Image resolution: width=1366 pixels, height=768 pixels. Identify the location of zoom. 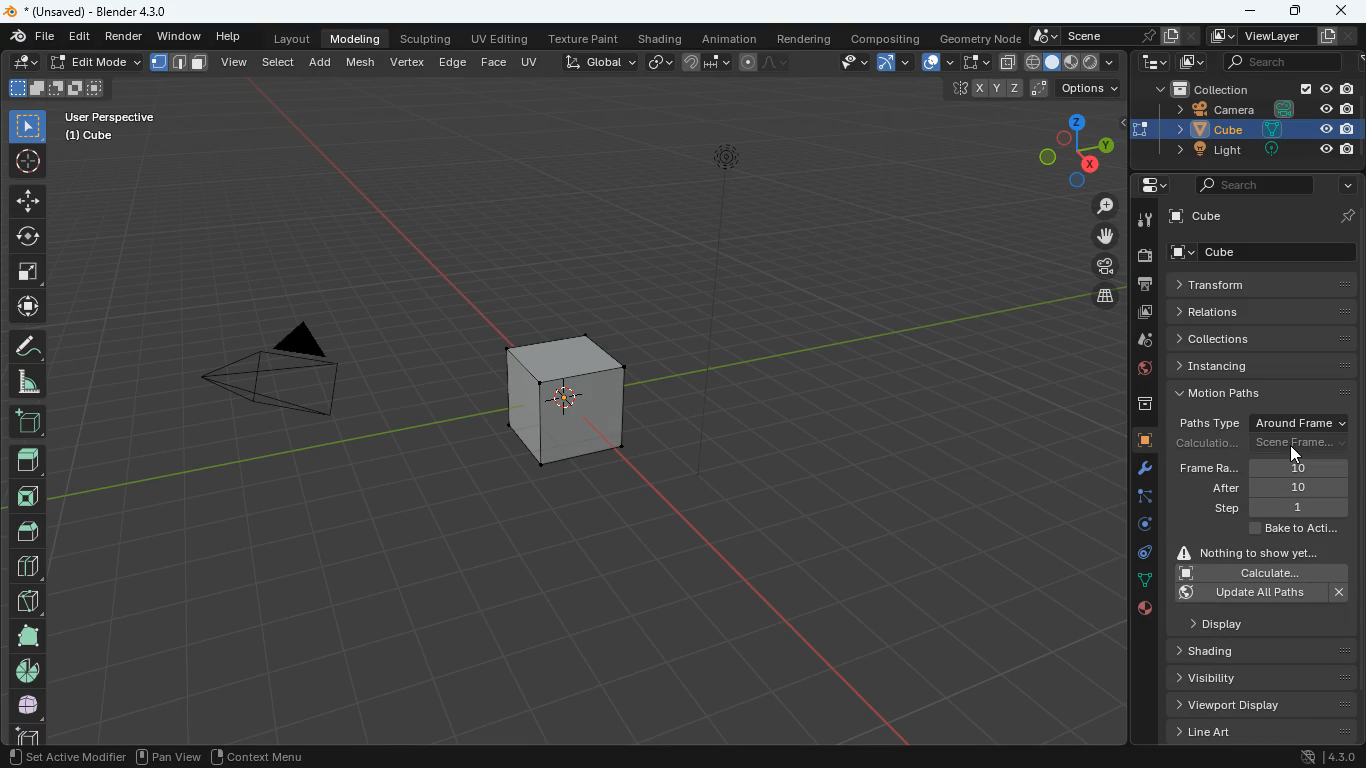
(1097, 207).